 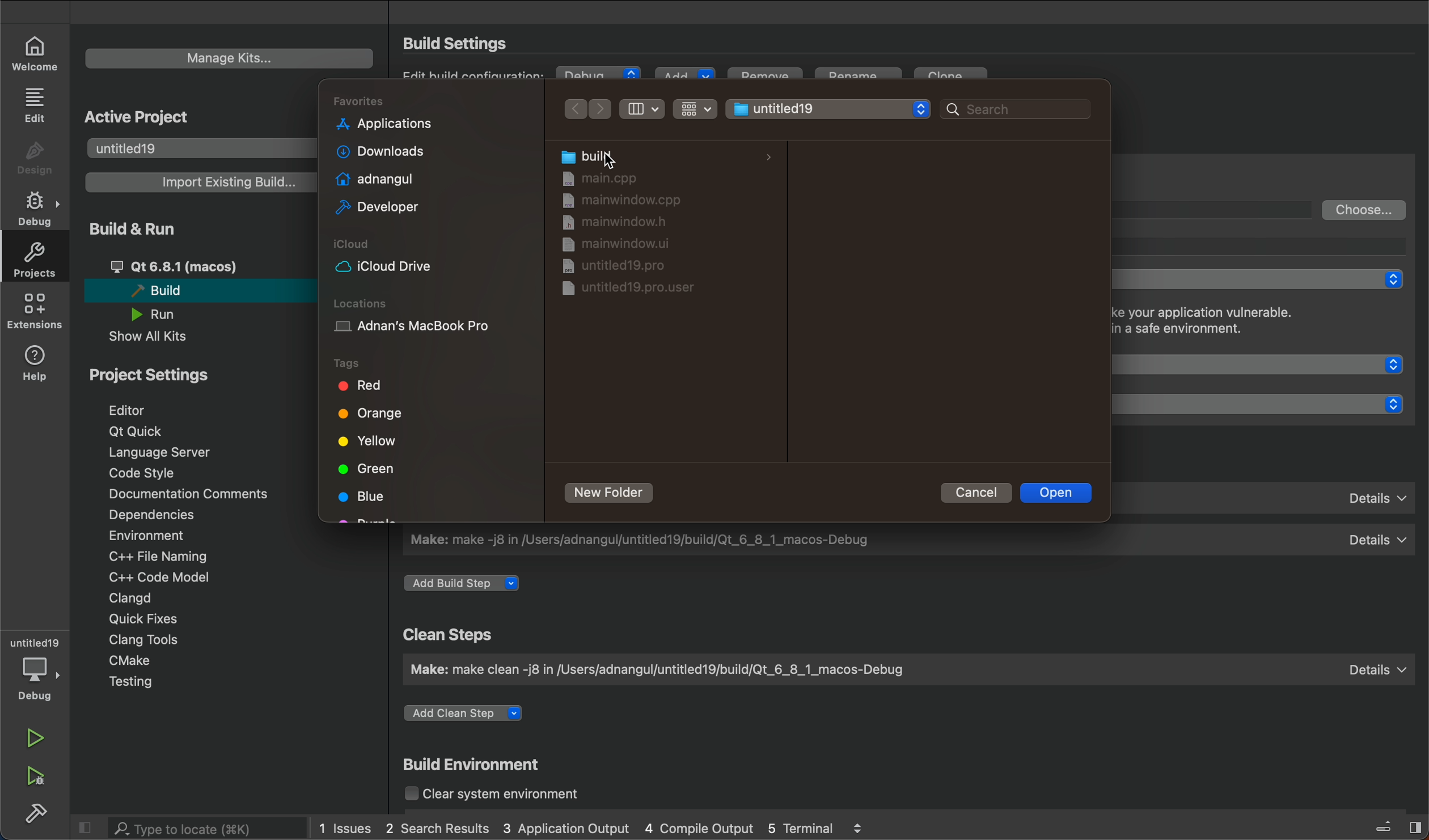 I want to click on might make your application vulnerable only use in a safe environment., so click(x=1234, y=323).